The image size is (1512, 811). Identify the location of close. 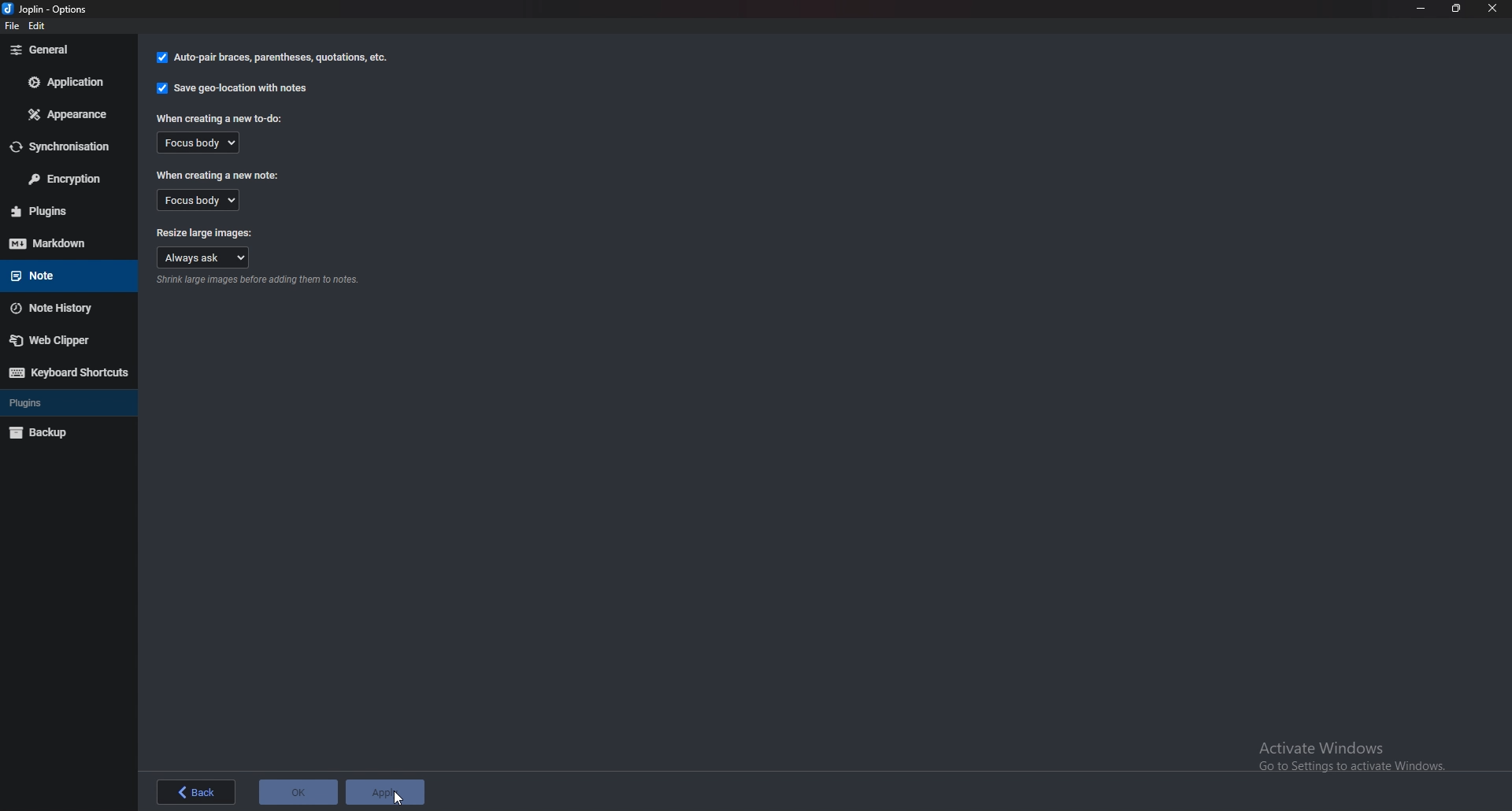
(1492, 9).